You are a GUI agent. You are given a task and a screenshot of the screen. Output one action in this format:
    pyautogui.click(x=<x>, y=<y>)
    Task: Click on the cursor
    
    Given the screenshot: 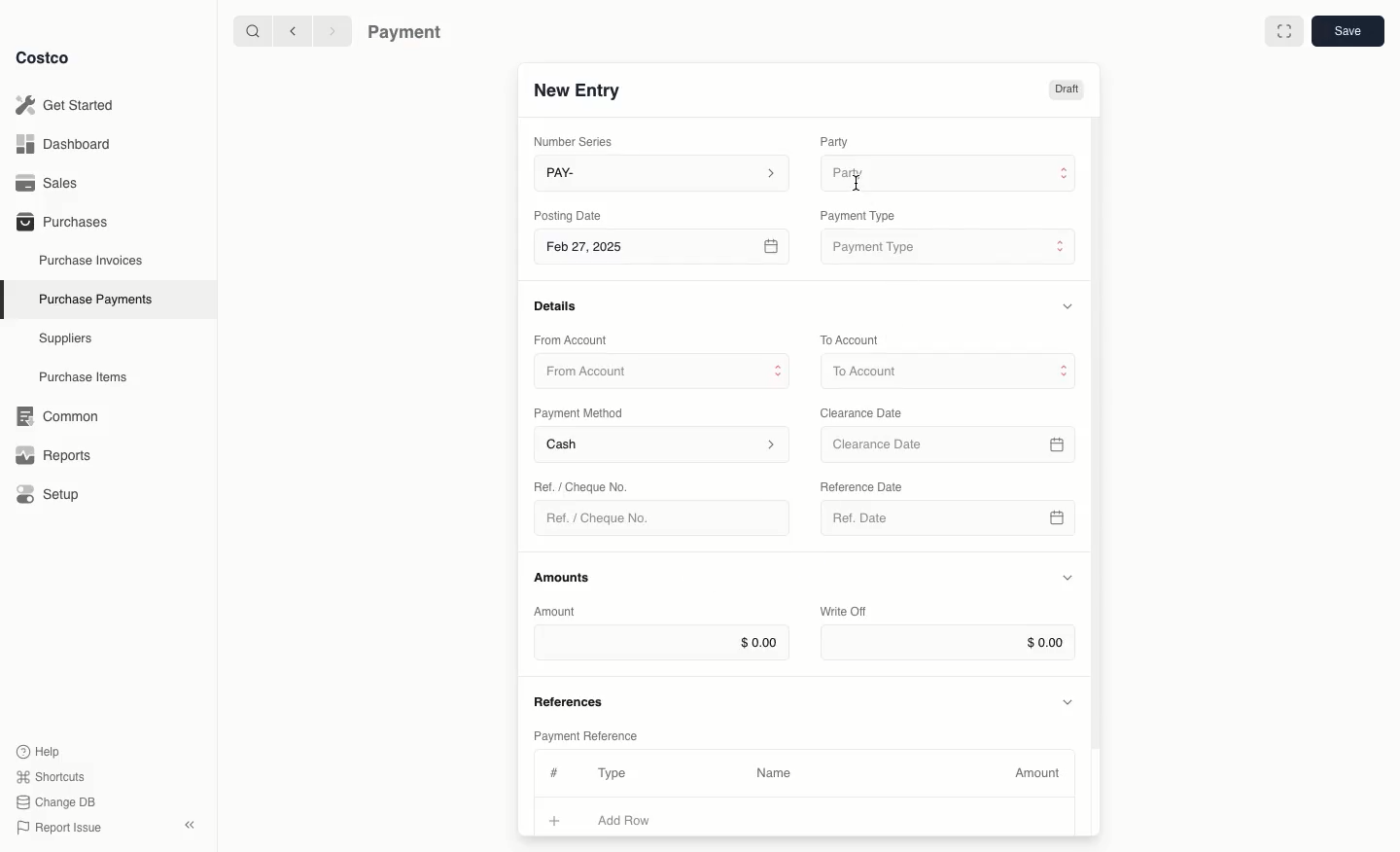 What is the action you would take?
    pyautogui.click(x=857, y=182)
    